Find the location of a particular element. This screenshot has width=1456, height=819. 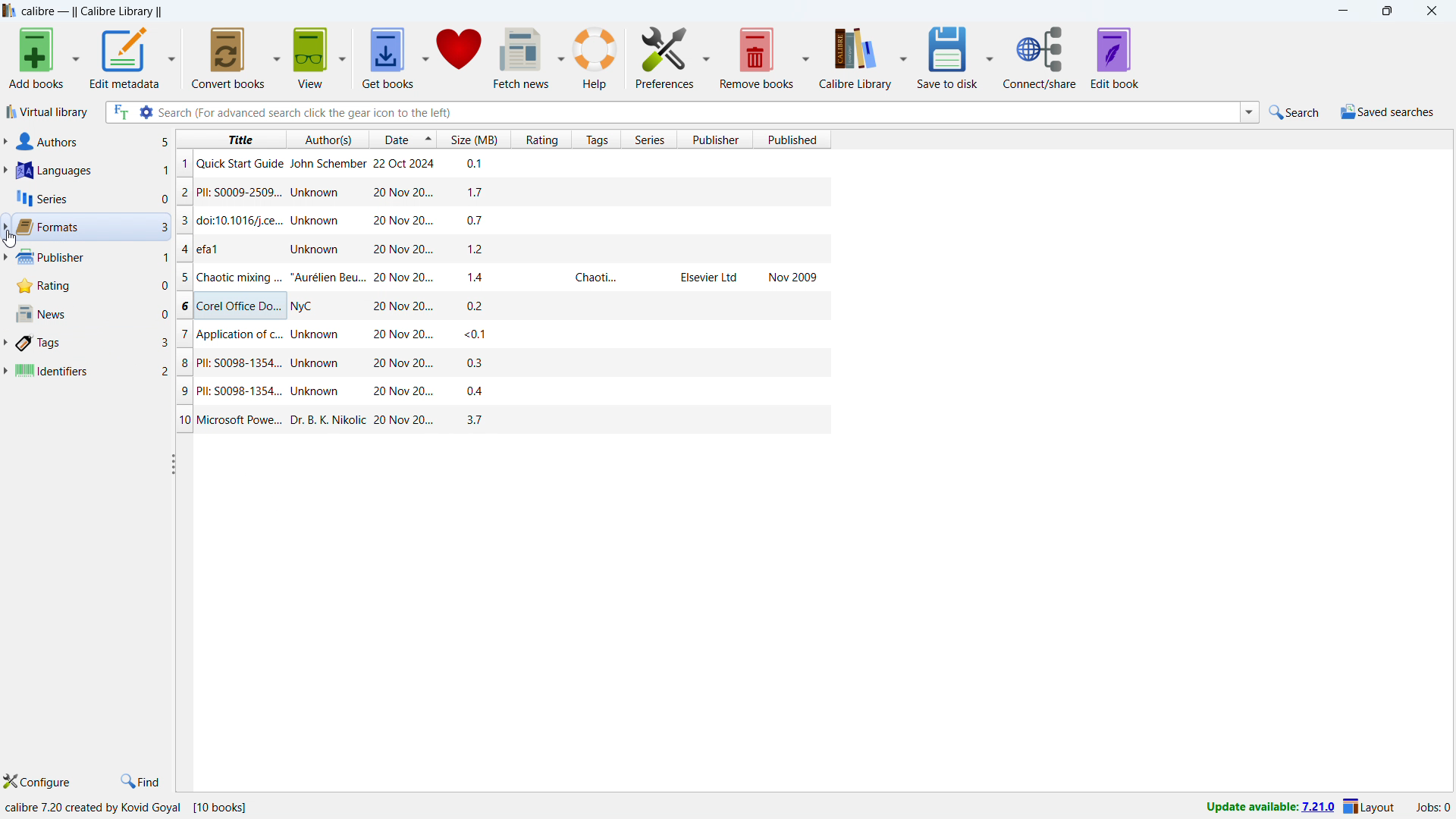

languages is located at coordinates (92, 170).